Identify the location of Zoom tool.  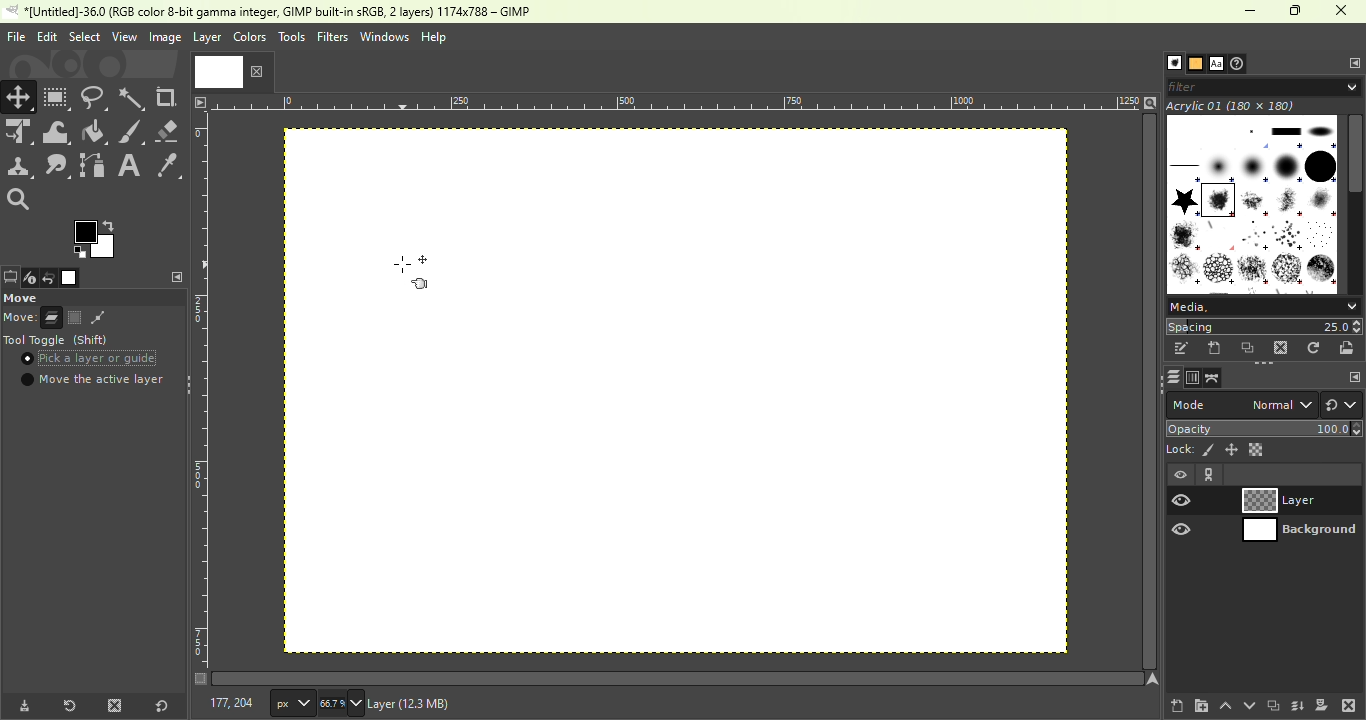
(24, 200).